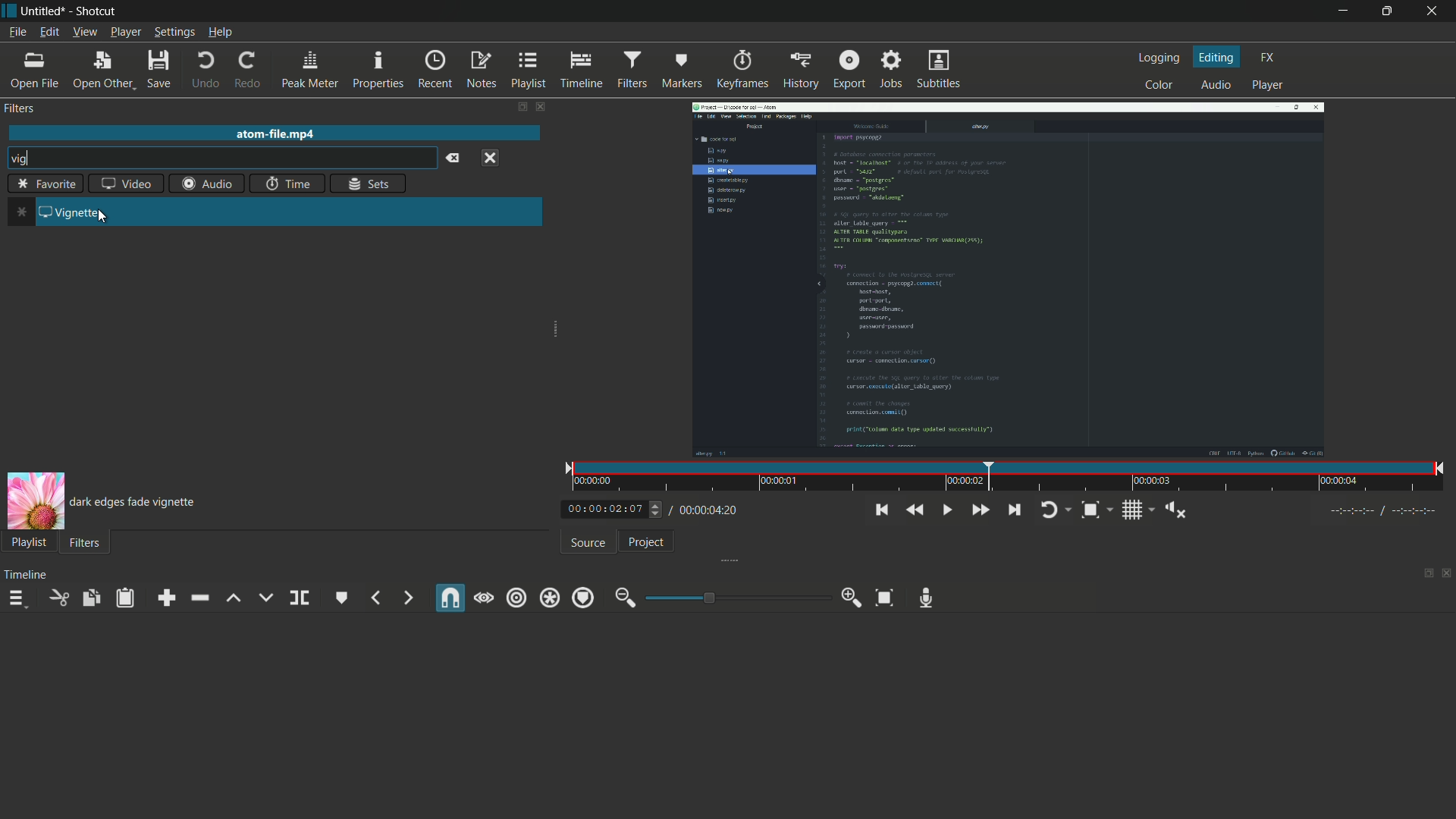 This screenshot has height=819, width=1456. Describe the element at coordinates (658, 510) in the screenshot. I see `toggle buttons` at that location.